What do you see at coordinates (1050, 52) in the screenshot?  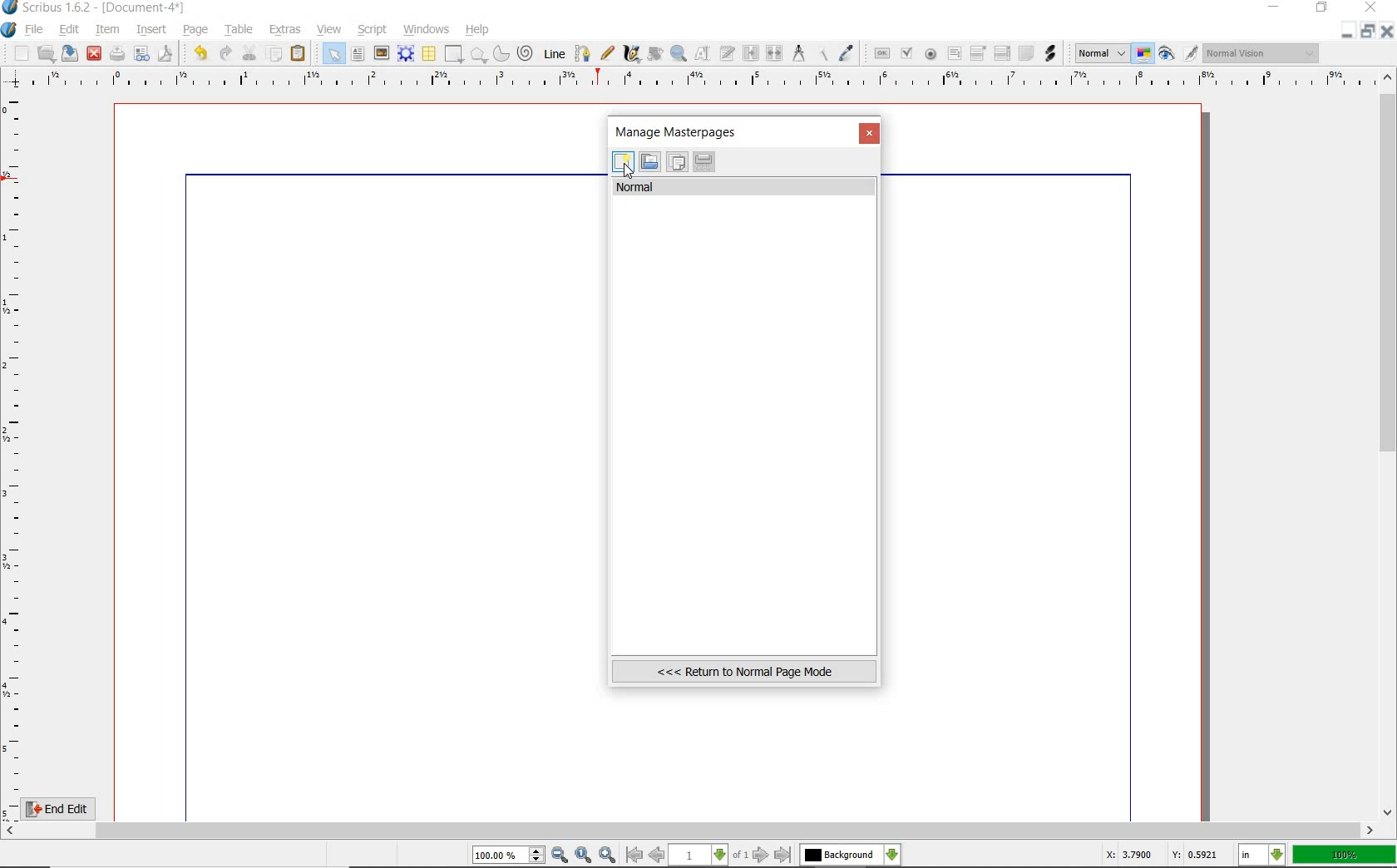 I see `link annotation` at bounding box center [1050, 52].